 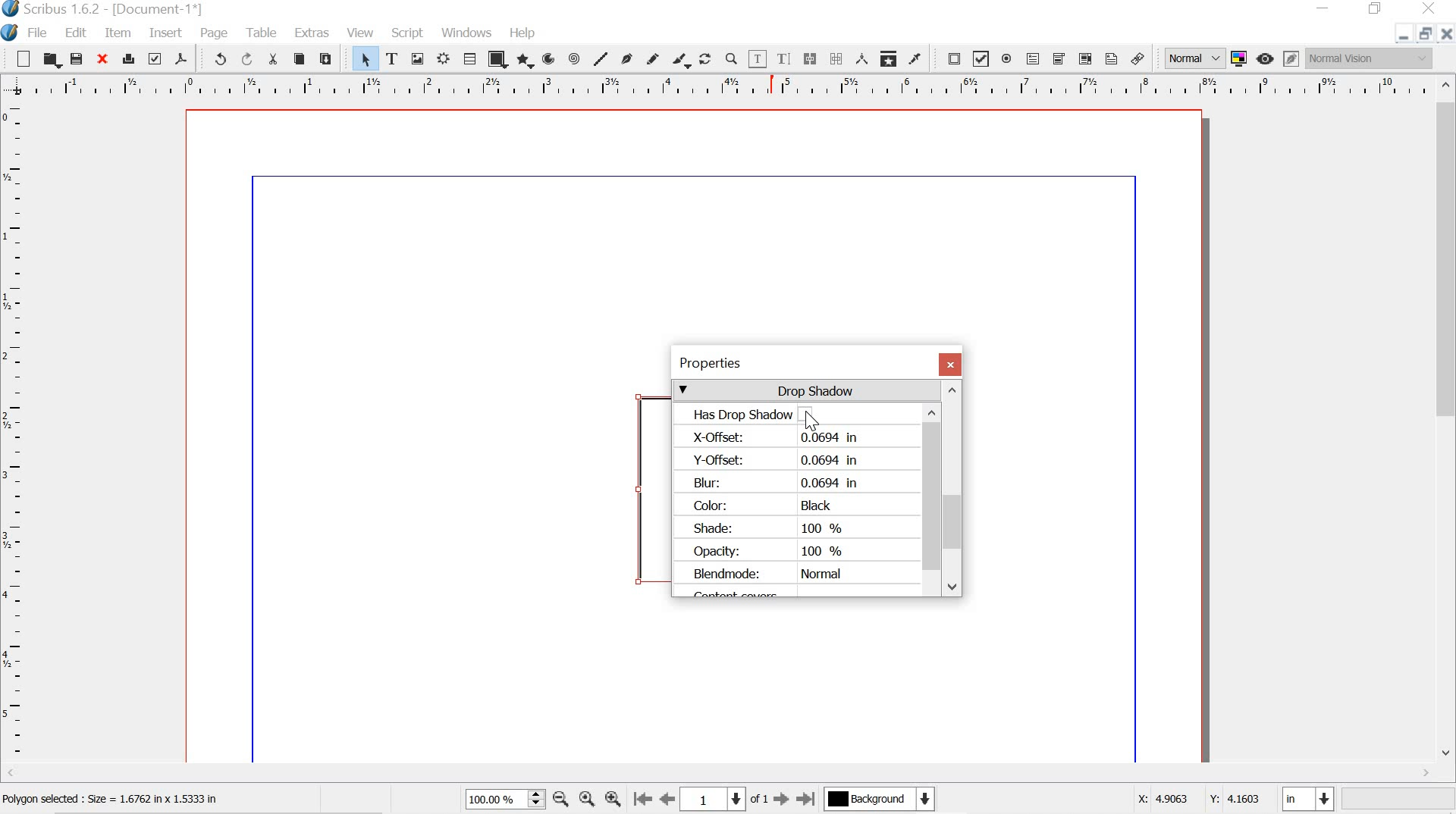 What do you see at coordinates (466, 32) in the screenshot?
I see `WINDOWS` at bounding box center [466, 32].